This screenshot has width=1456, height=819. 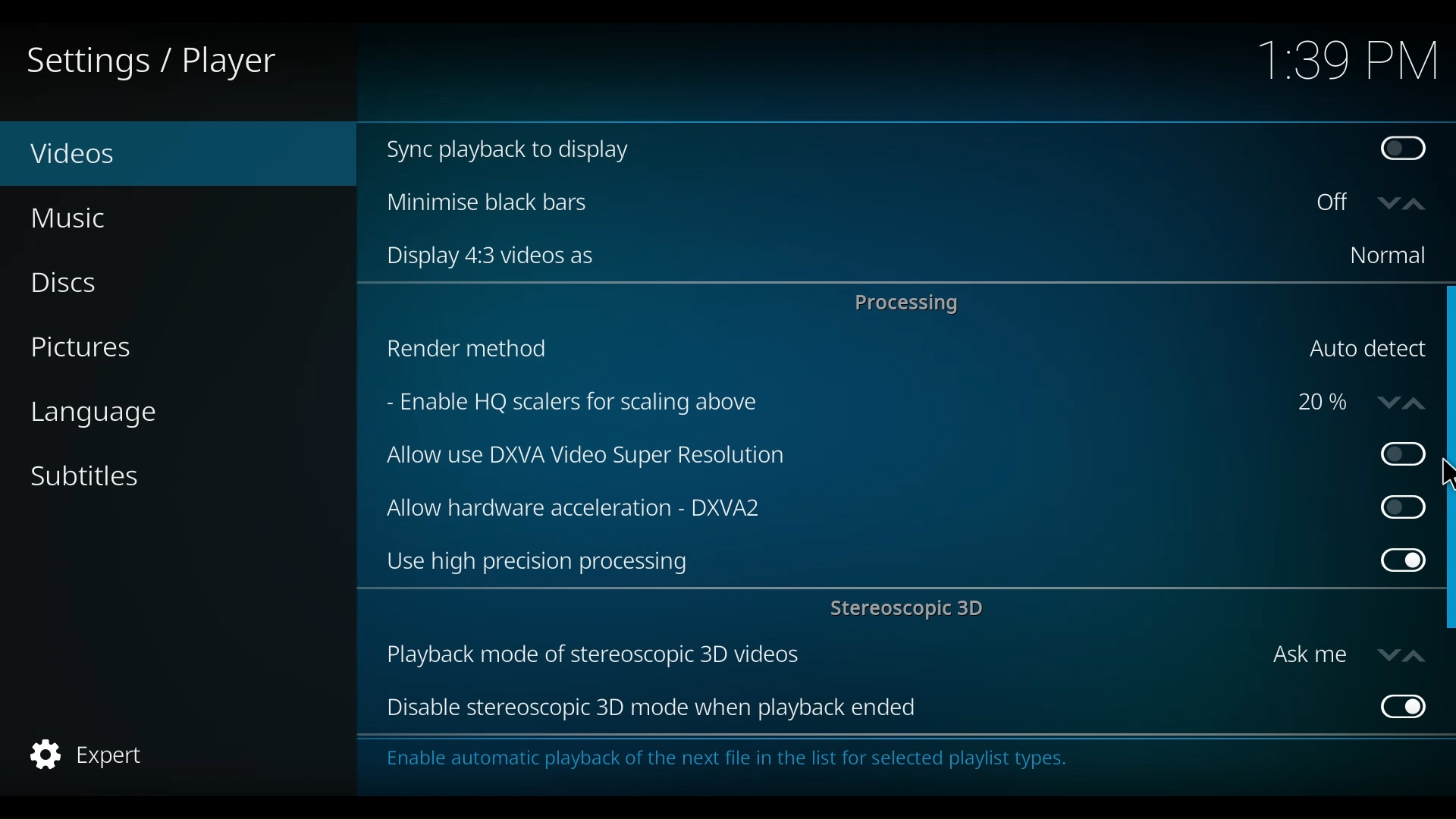 I want to click on Stereoscopic 3D, so click(x=911, y=610).